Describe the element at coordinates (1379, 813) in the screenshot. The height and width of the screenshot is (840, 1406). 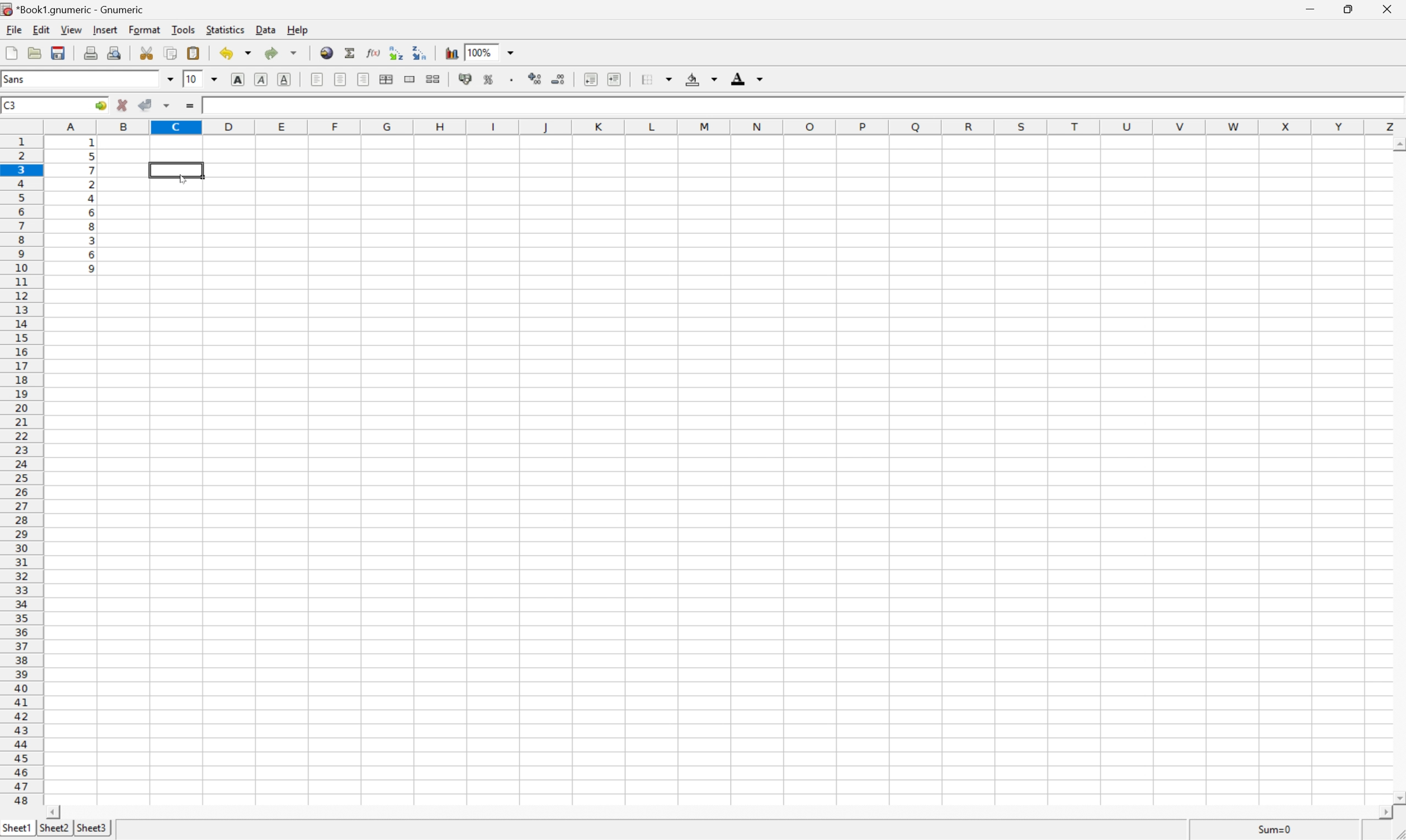
I see `scroll right` at that location.